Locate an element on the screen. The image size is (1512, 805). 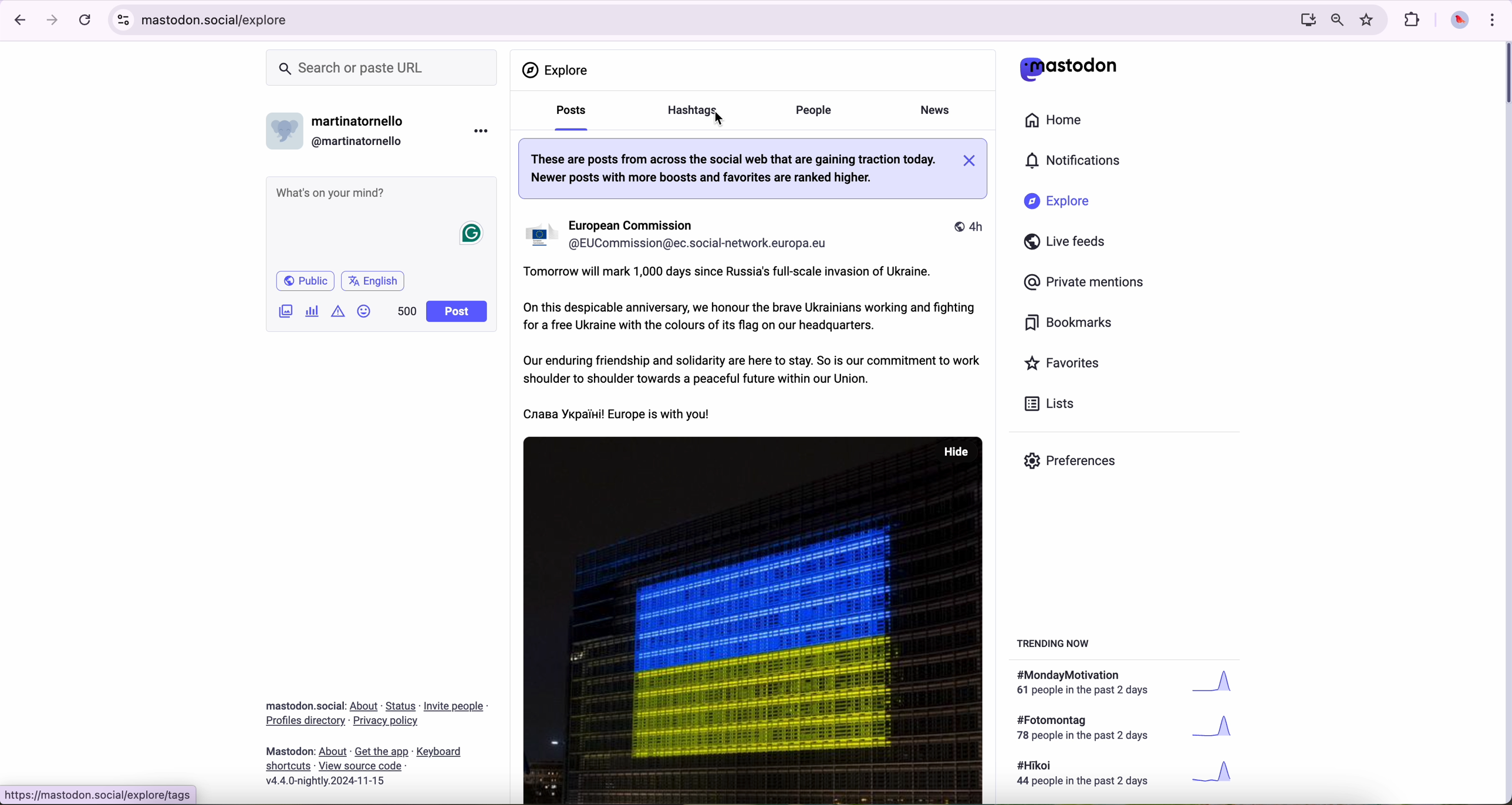
text is located at coordinates (1089, 775).